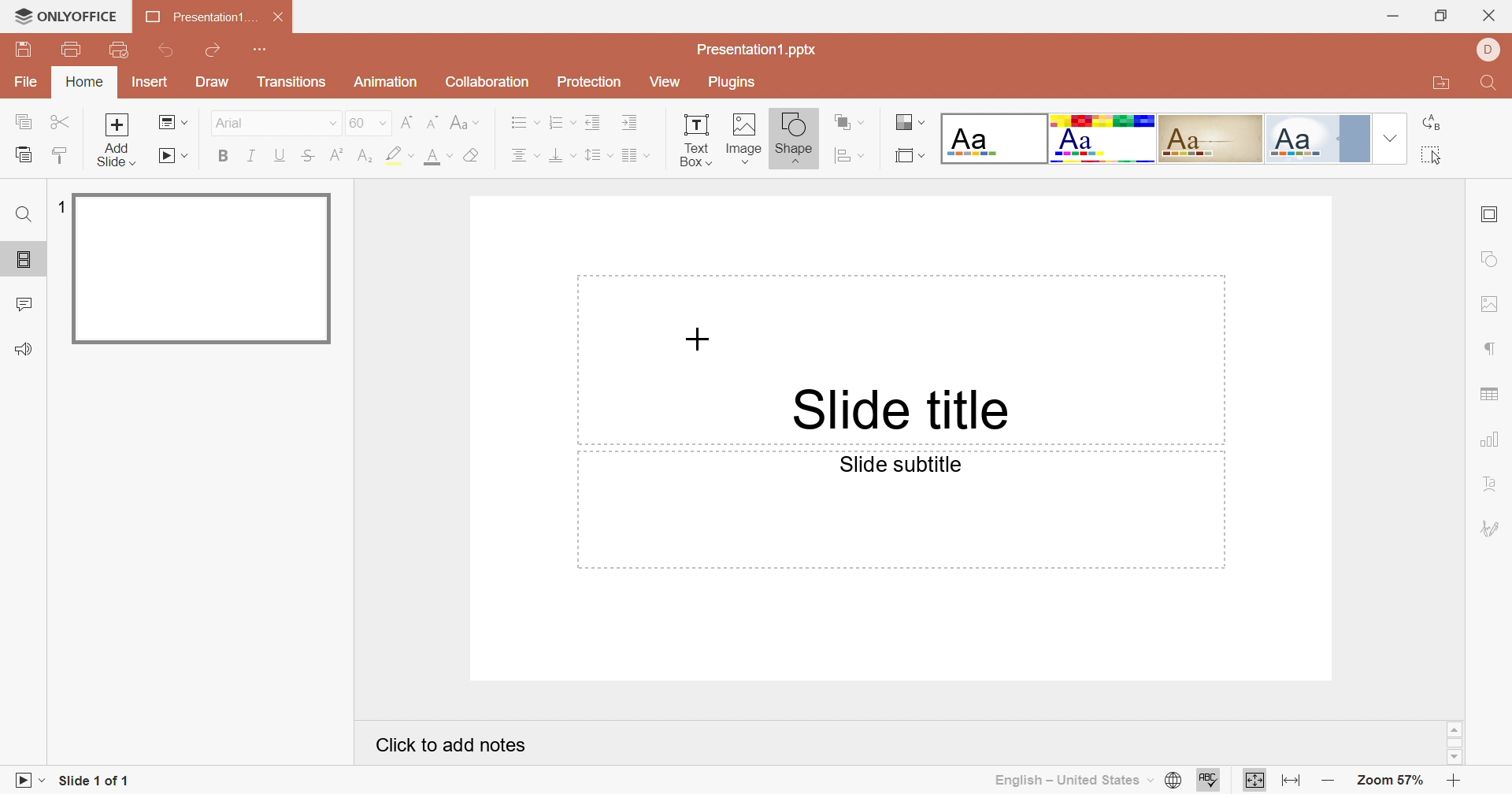 The height and width of the screenshot is (794, 1512). I want to click on English - United States, so click(1068, 782).